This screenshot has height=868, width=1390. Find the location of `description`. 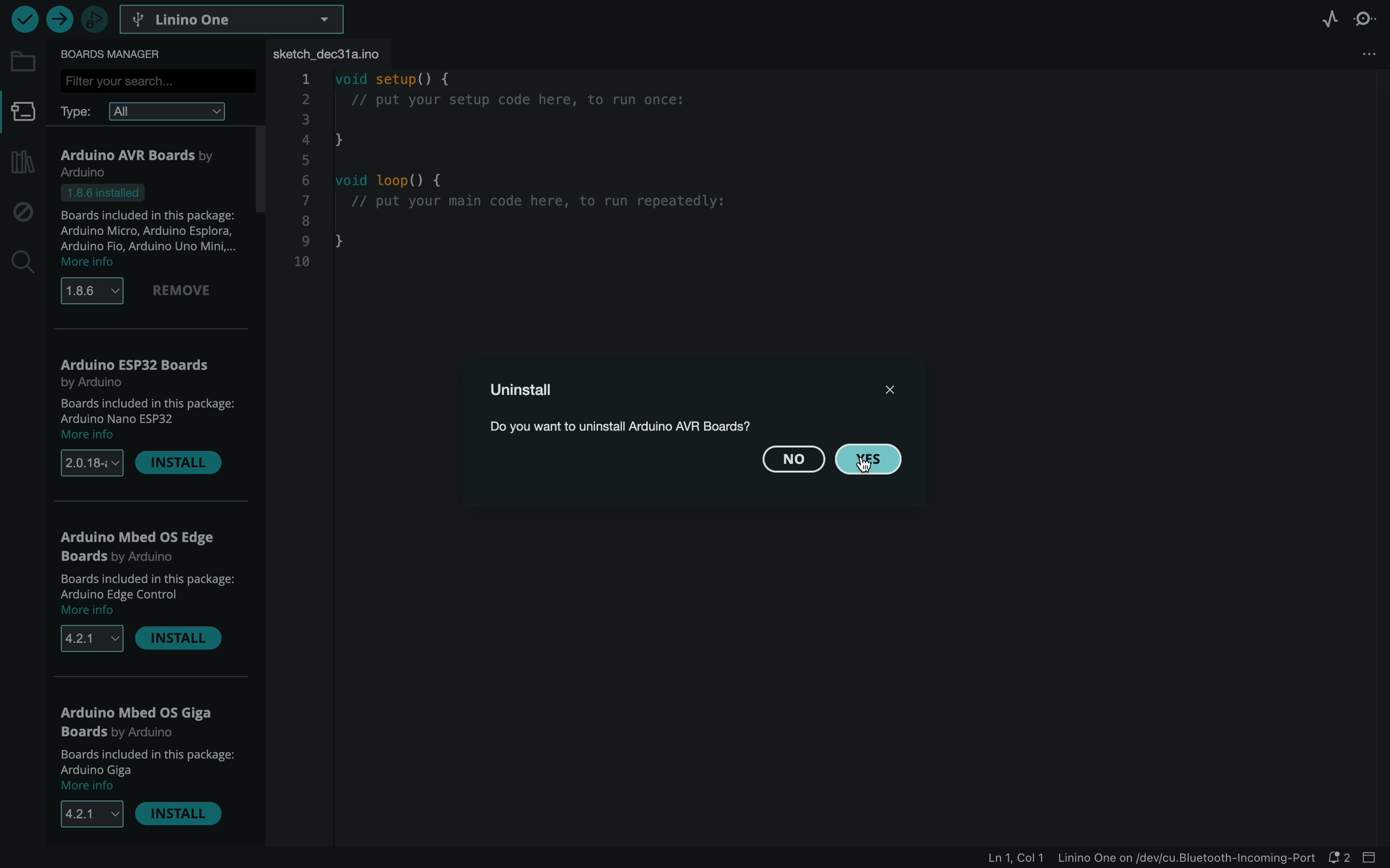

description is located at coordinates (146, 410).